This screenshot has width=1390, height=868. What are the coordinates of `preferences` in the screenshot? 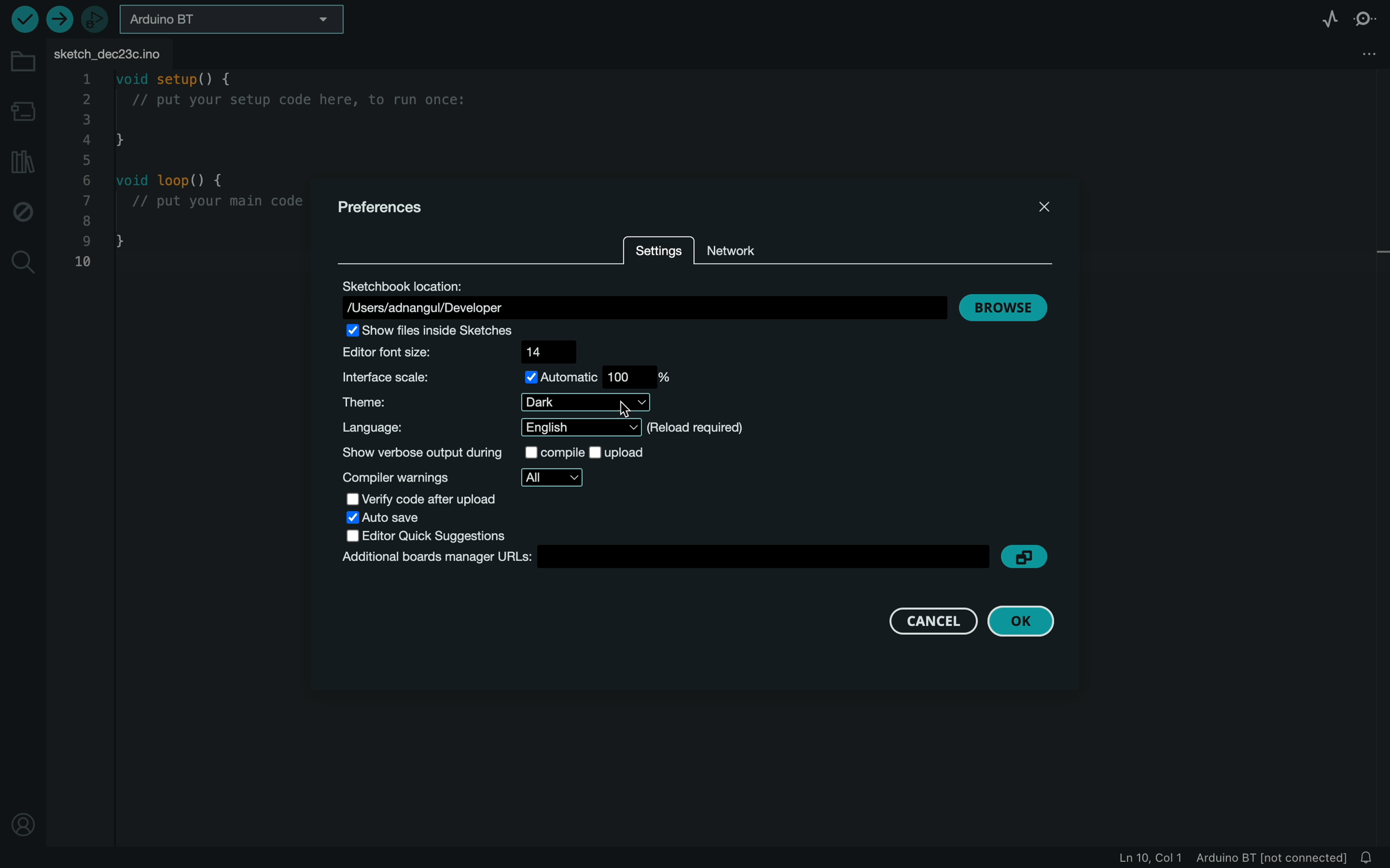 It's located at (384, 208).